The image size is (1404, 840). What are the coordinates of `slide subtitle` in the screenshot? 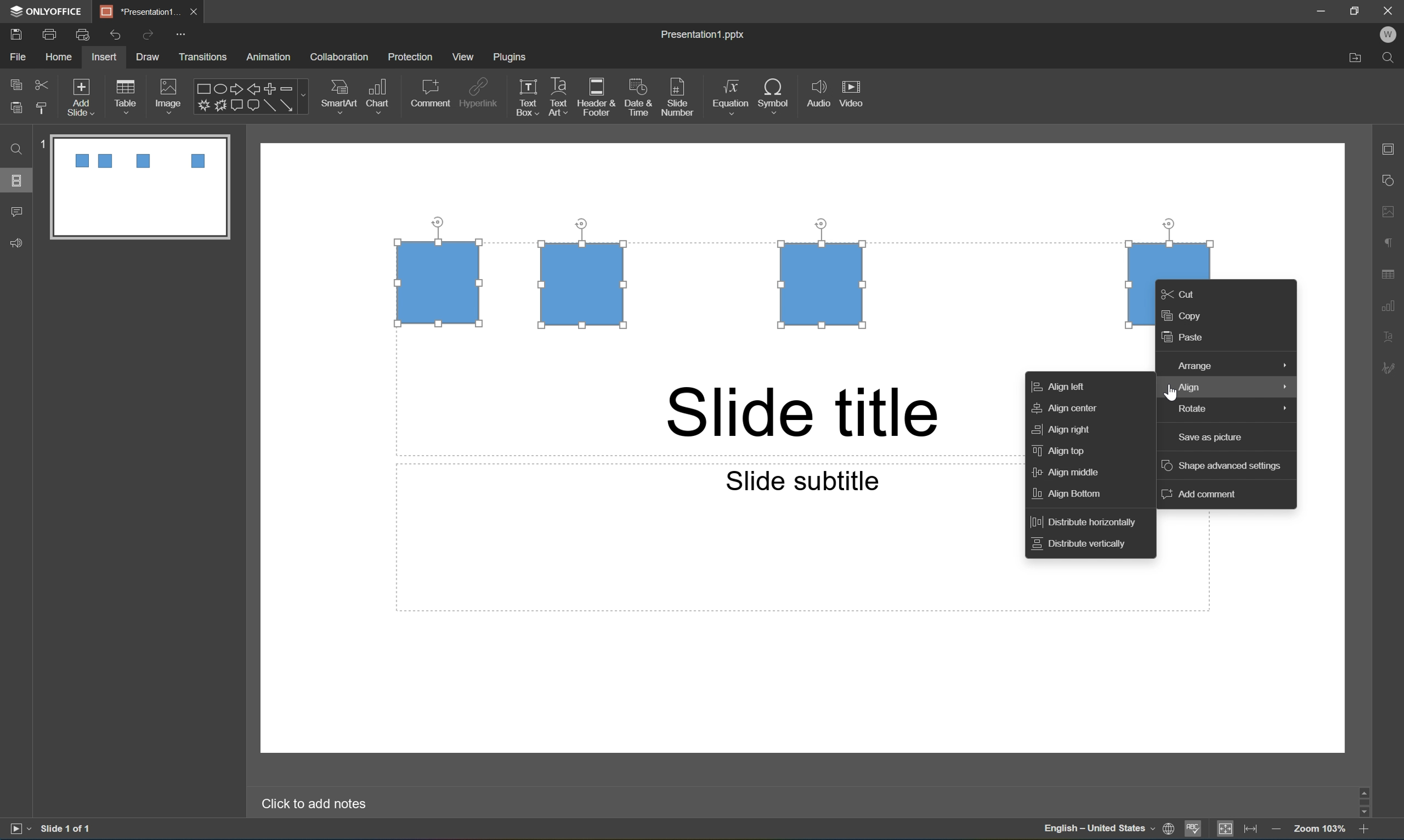 It's located at (801, 480).